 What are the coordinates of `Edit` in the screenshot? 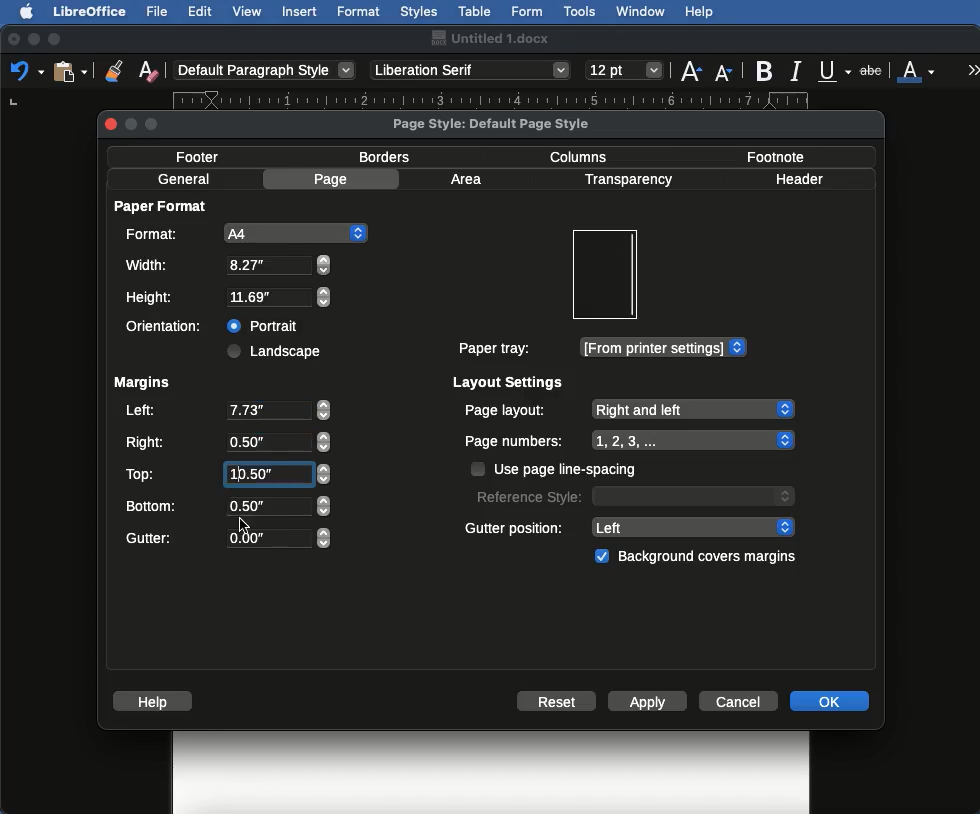 It's located at (200, 11).